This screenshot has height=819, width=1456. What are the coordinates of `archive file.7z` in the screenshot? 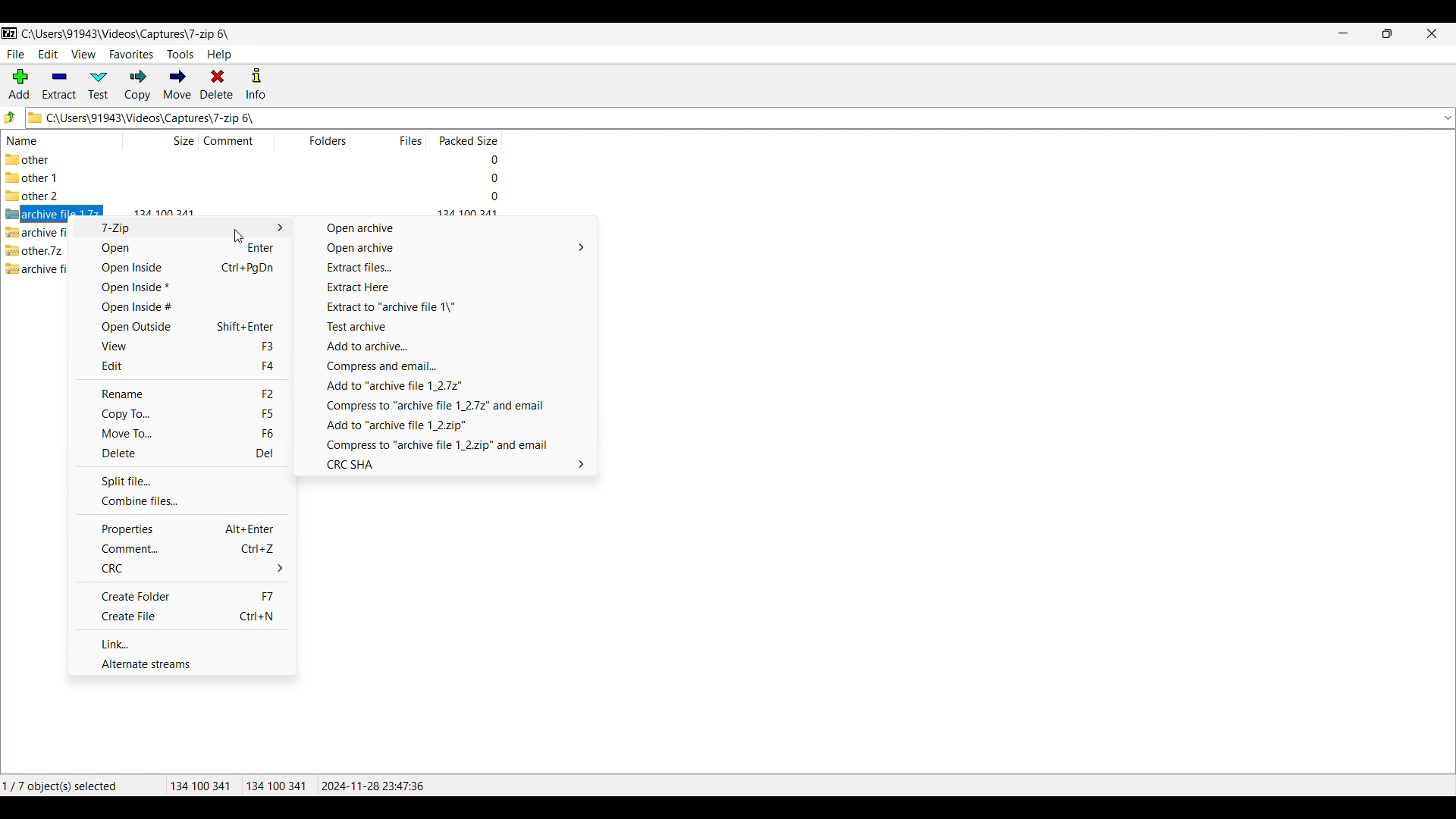 It's located at (36, 232).